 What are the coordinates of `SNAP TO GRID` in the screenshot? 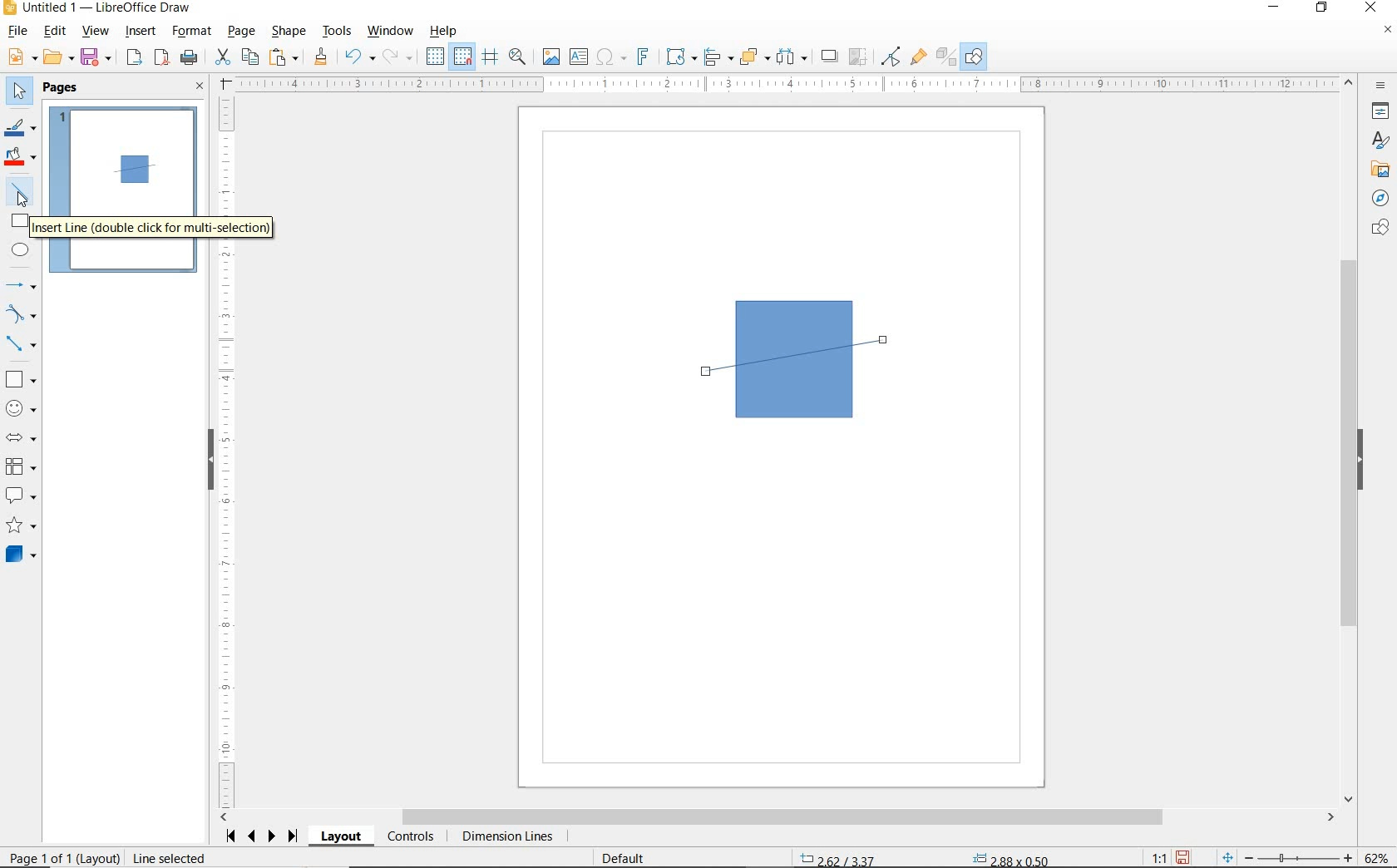 It's located at (463, 57).